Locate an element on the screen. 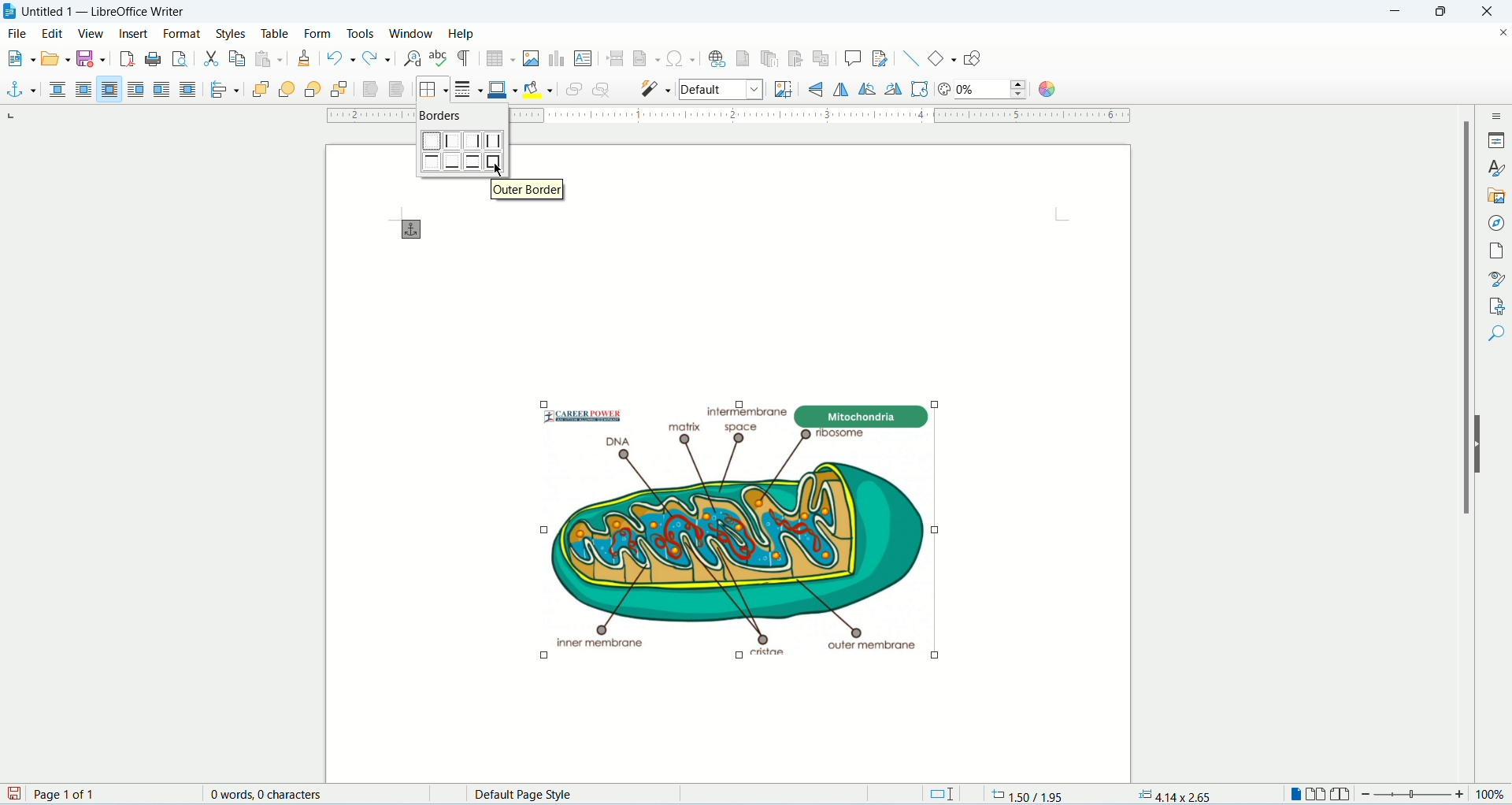  to foreground is located at coordinates (368, 90).